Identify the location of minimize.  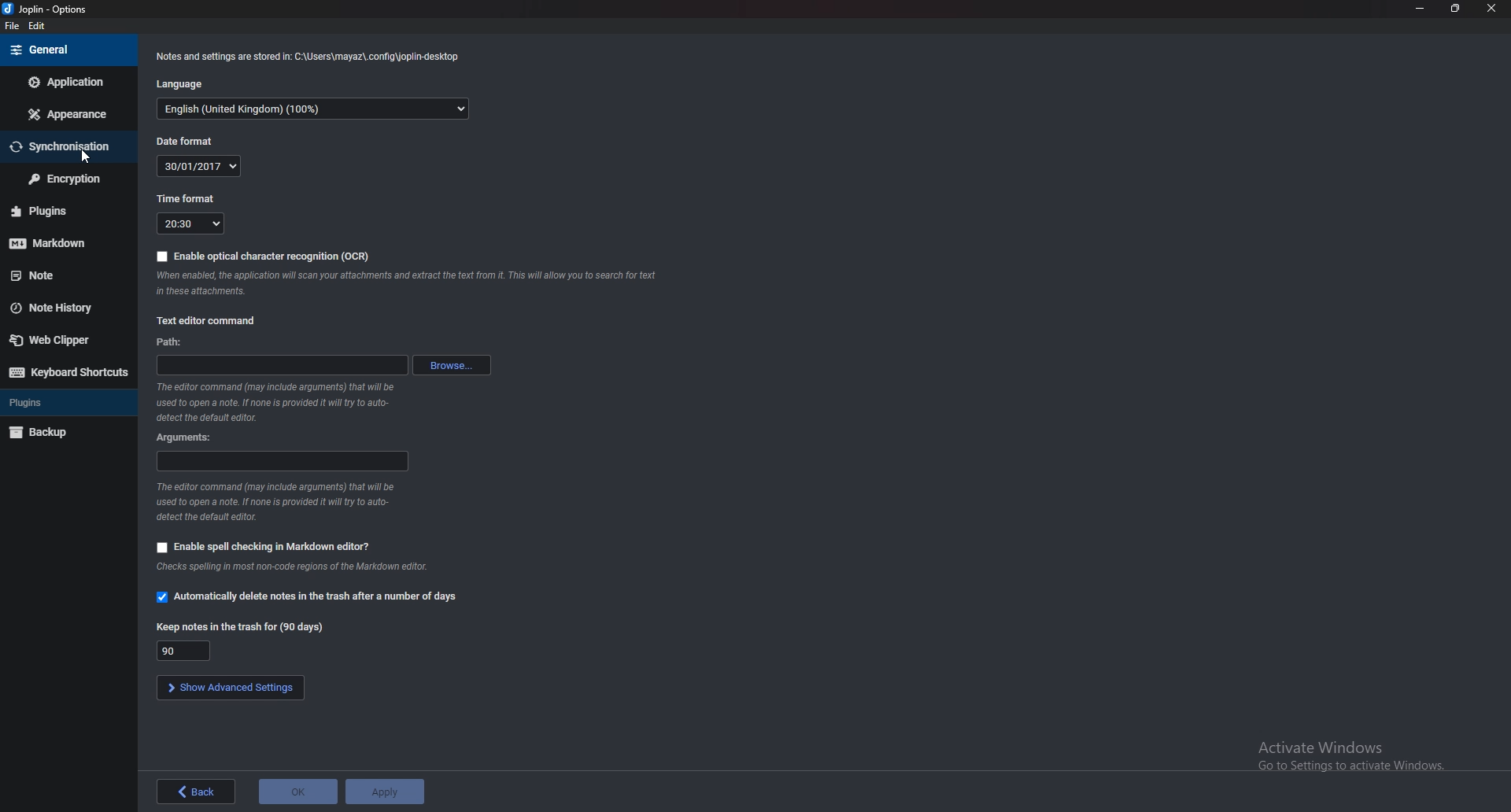
(1420, 9).